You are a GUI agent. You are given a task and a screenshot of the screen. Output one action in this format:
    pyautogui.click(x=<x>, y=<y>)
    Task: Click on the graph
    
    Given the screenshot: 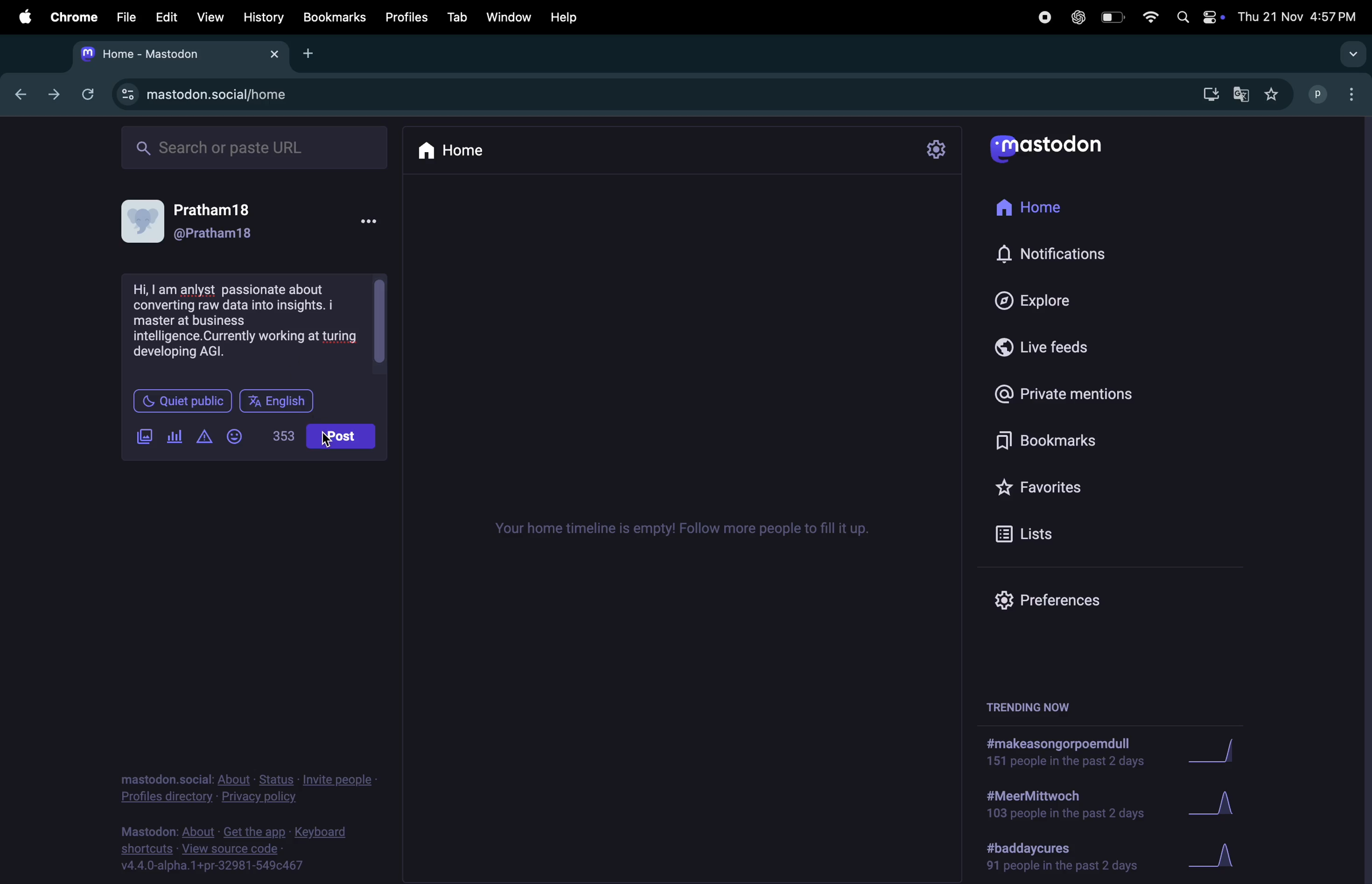 What is the action you would take?
    pyautogui.click(x=1217, y=856)
    